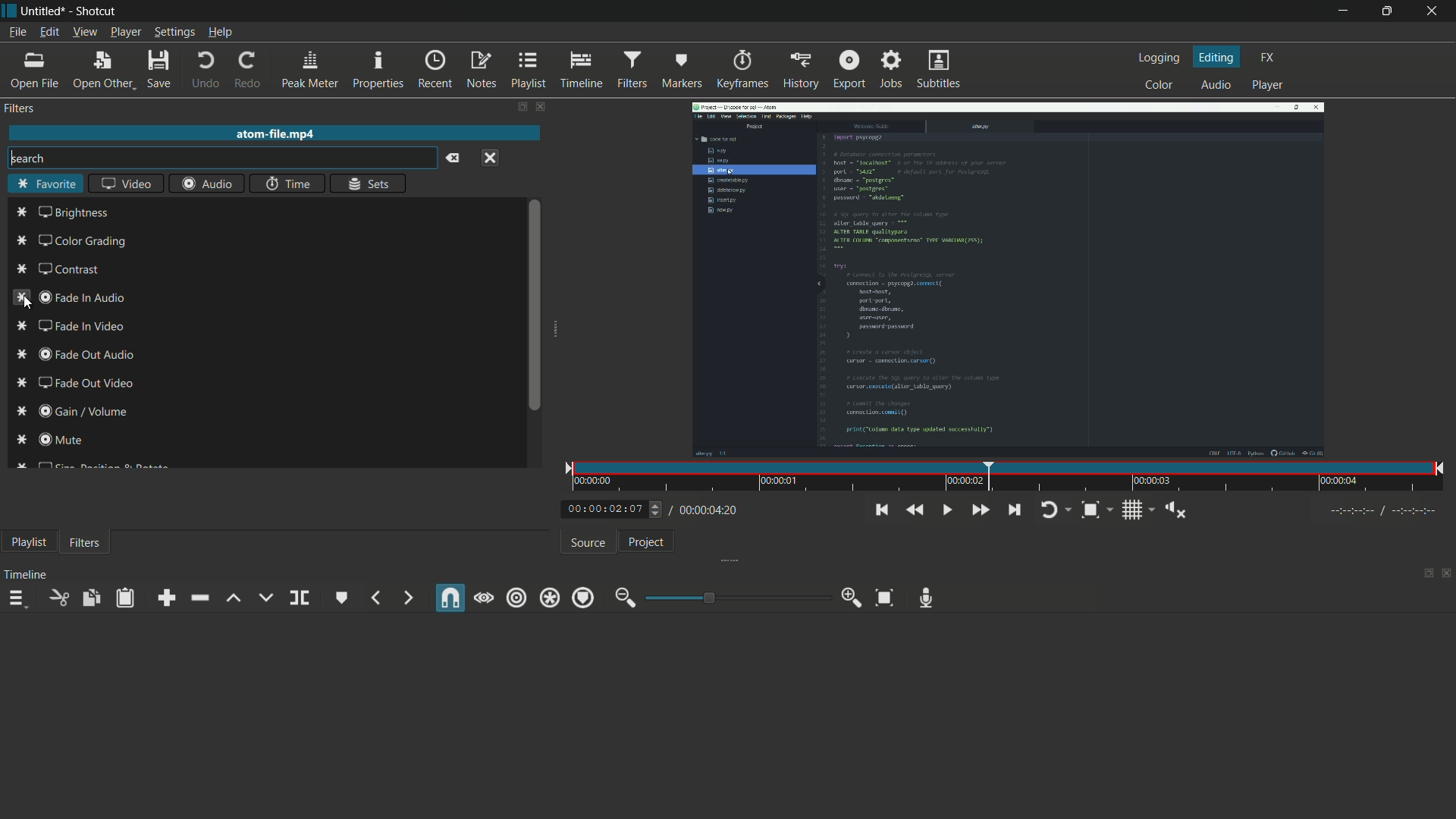 The image size is (1456, 819). I want to click on ripple markers, so click(583, 598).